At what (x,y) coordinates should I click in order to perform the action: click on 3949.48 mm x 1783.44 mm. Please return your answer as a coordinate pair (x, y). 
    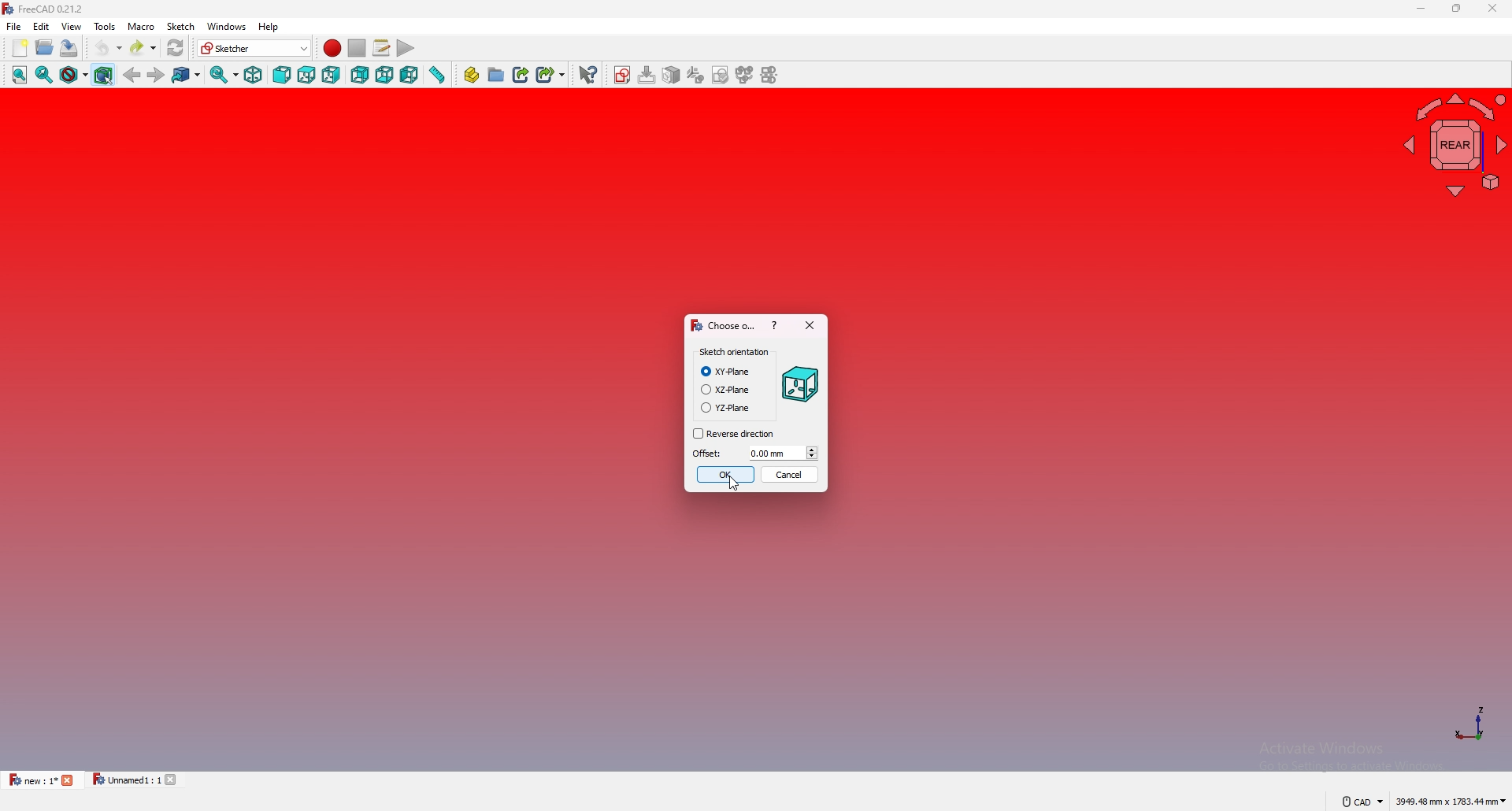
    Looking at the image, I should click on (1452, 800).